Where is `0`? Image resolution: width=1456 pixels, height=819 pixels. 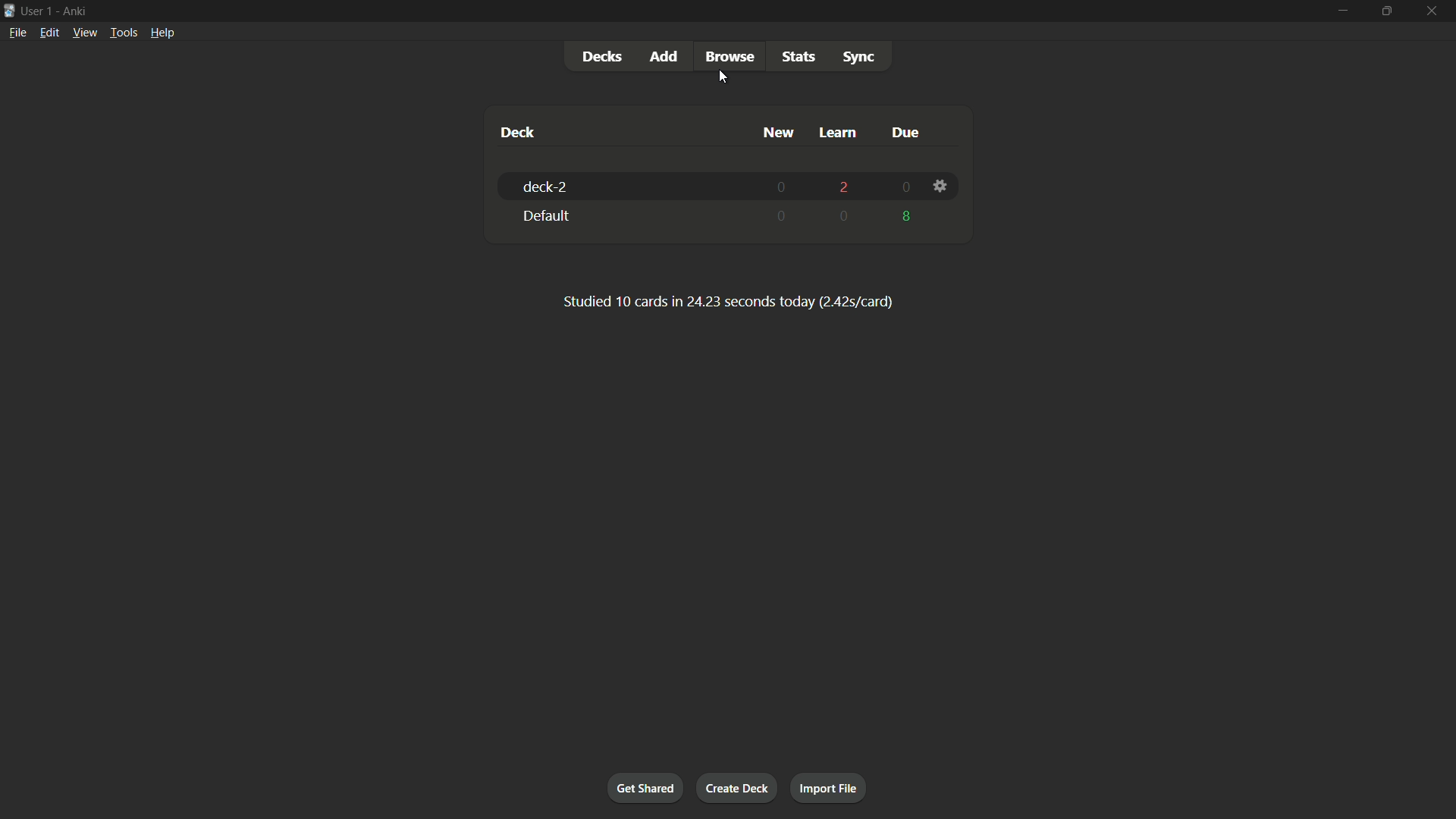
0 is located at coordinates (783, 218).